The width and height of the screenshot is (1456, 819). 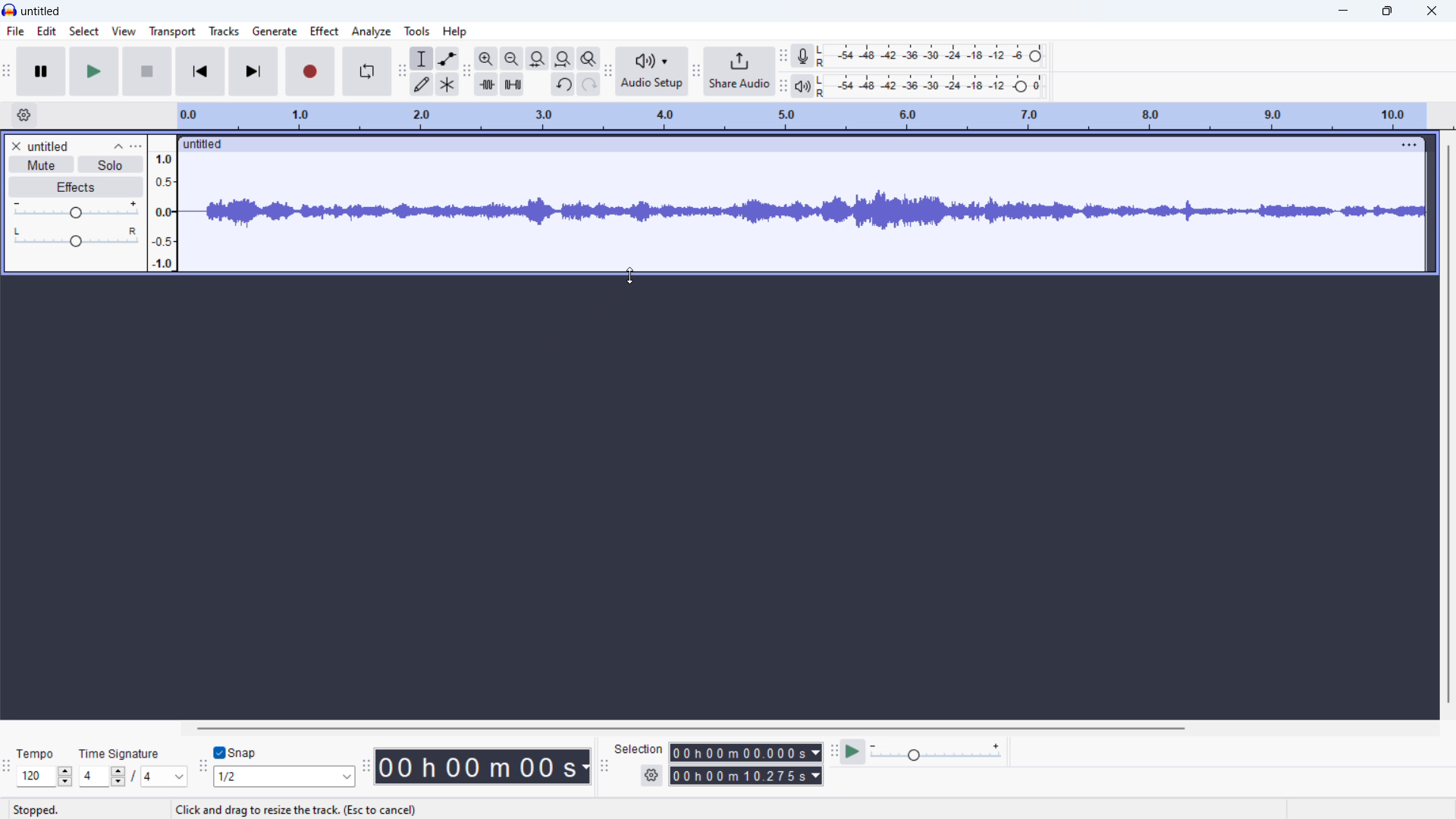 I want to click on timestamp, so click(x=484, y=766).